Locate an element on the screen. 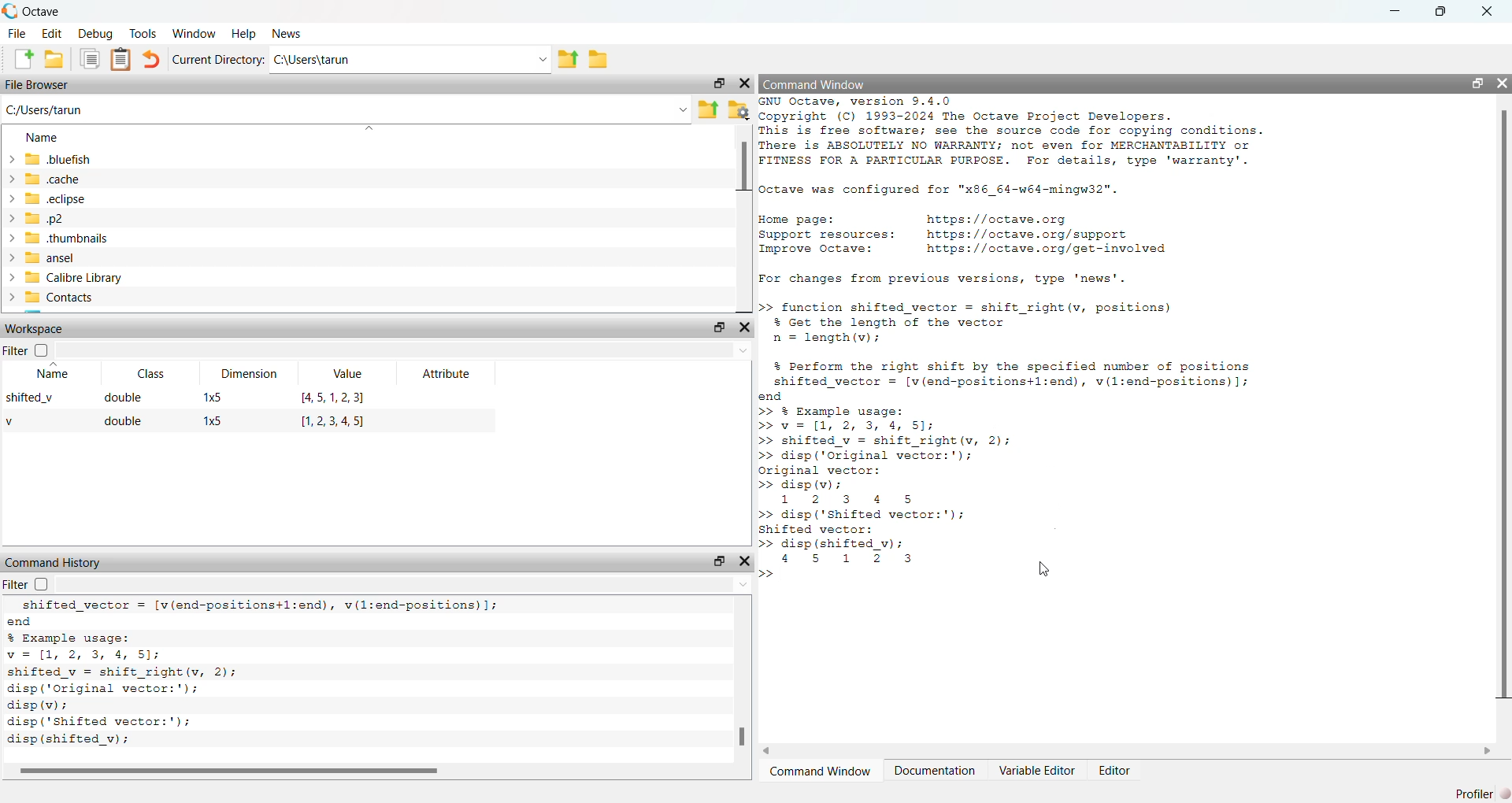  news is located at coordinates (287, 35).